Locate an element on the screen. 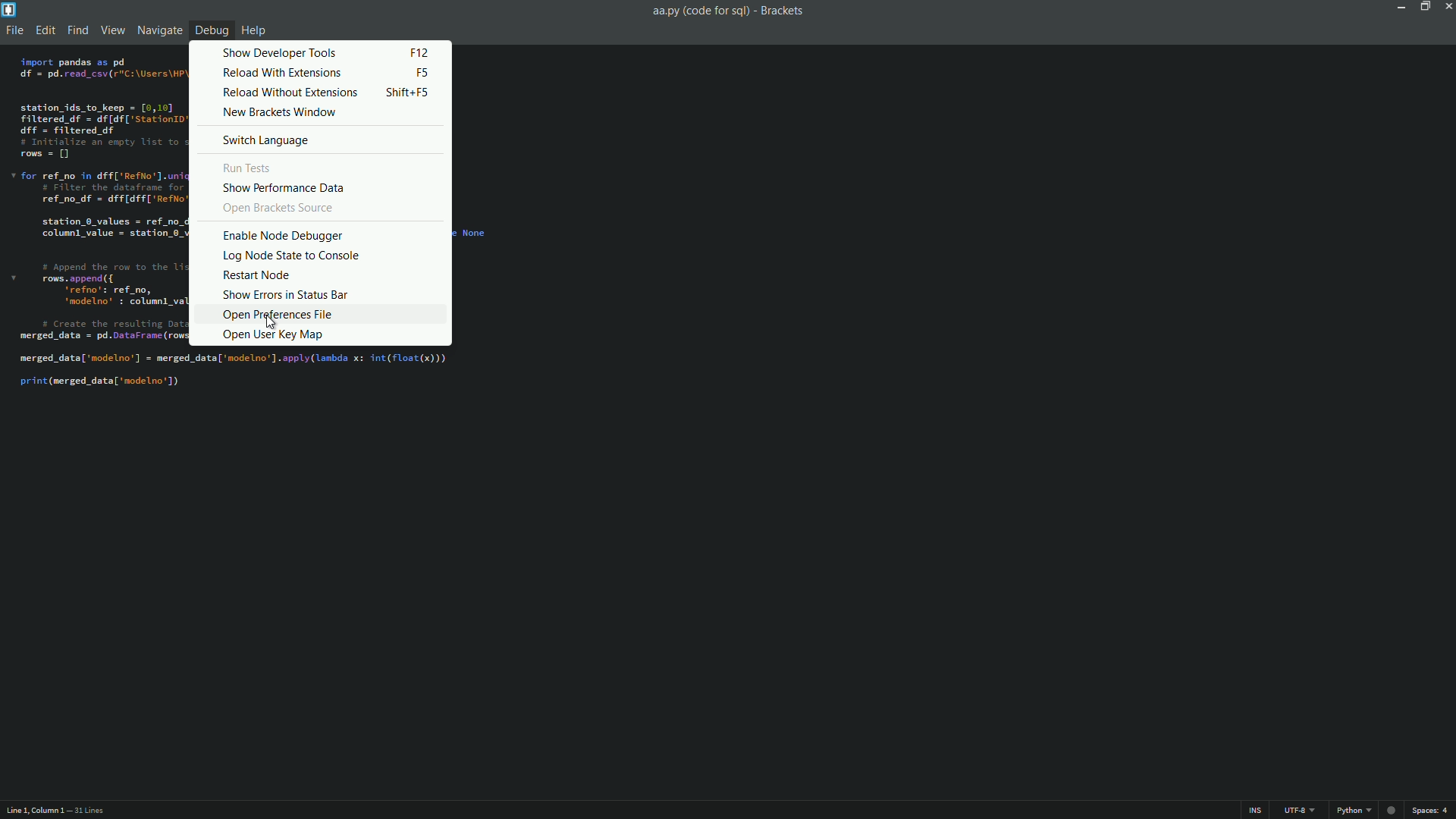 This screenshot has height=819, width=1456. keyboard shortcut is located at coordinates (407, 93).